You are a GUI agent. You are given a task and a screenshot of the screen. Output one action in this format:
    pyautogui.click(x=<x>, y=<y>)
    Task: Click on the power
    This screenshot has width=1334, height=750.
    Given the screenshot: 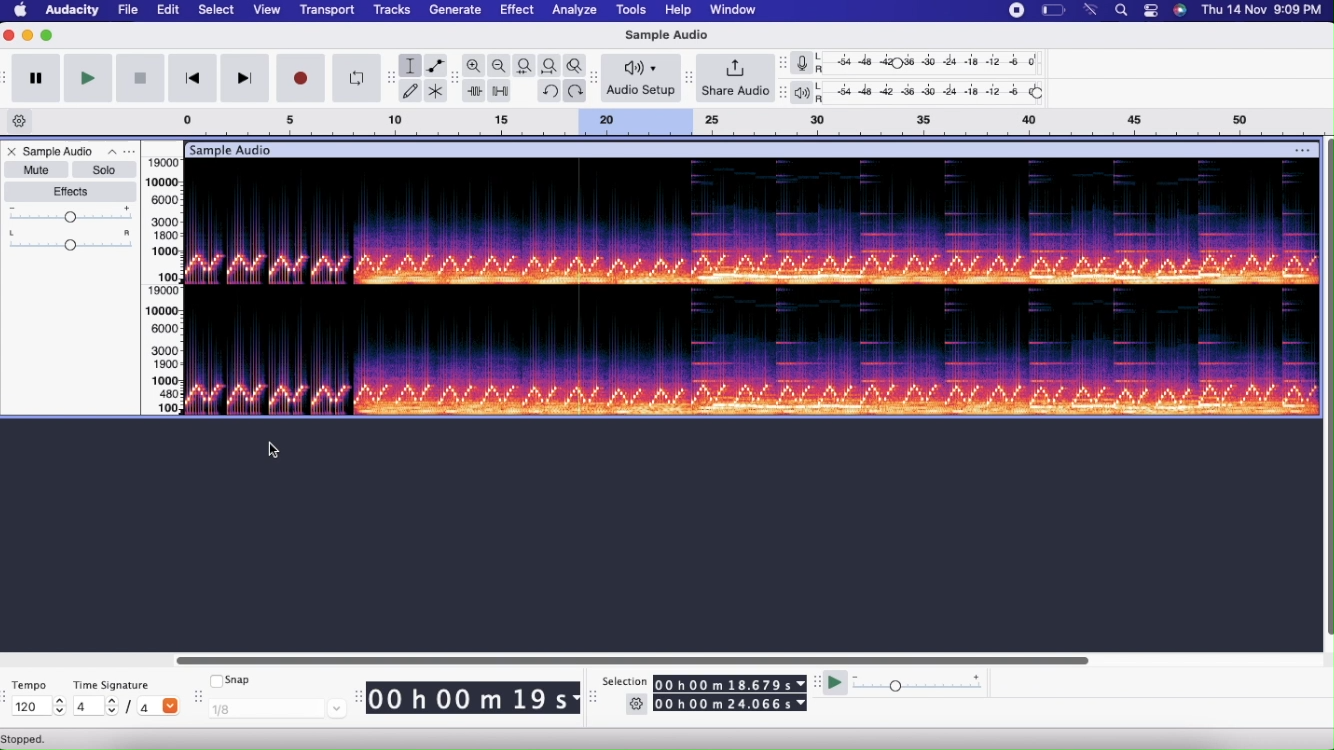 What is the action you would take?
    pyautogui.click(x=1053, y=11)
    